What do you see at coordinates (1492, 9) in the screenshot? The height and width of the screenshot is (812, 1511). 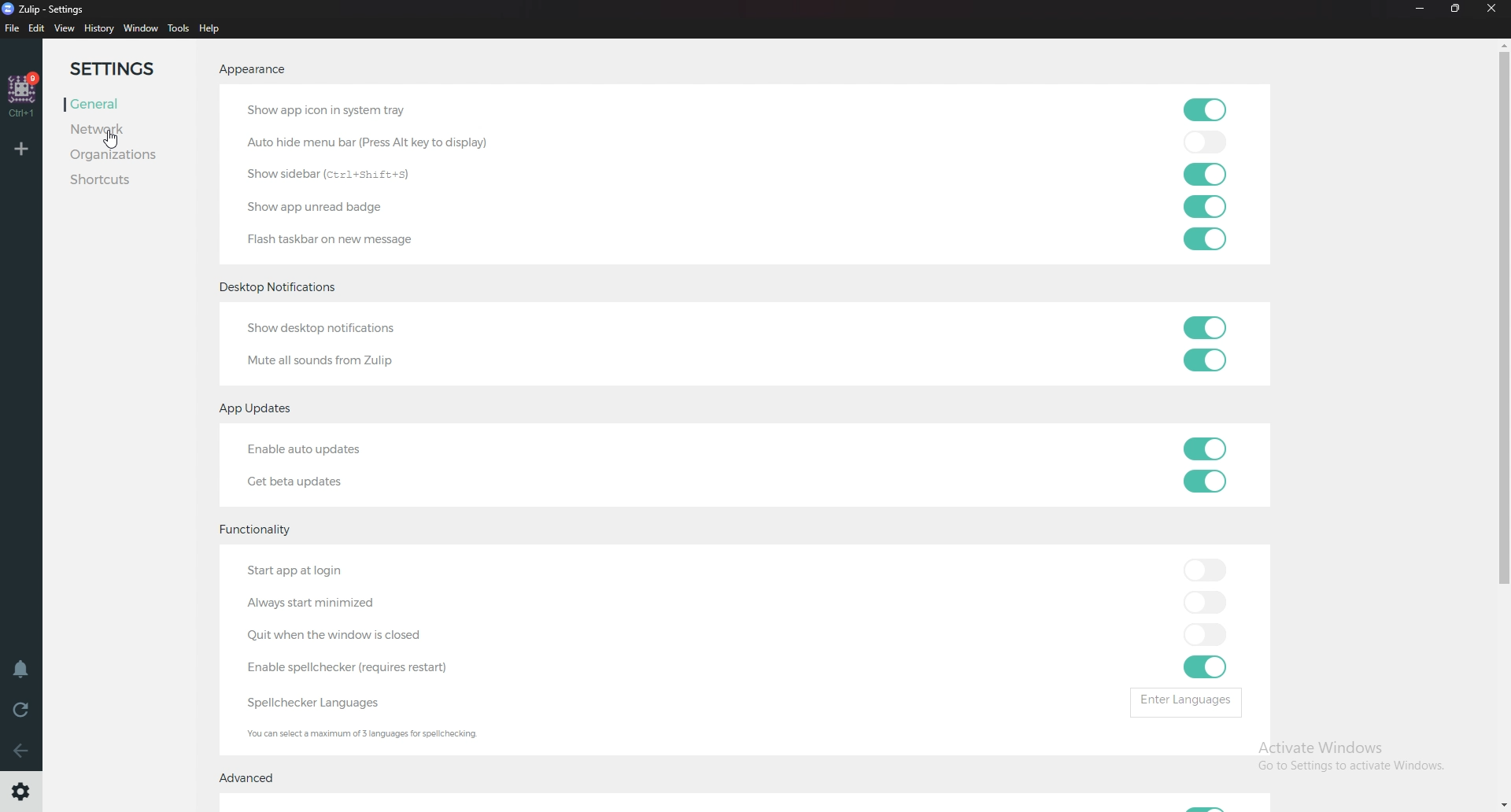 I see `close` at bounding box center [1492, 9].